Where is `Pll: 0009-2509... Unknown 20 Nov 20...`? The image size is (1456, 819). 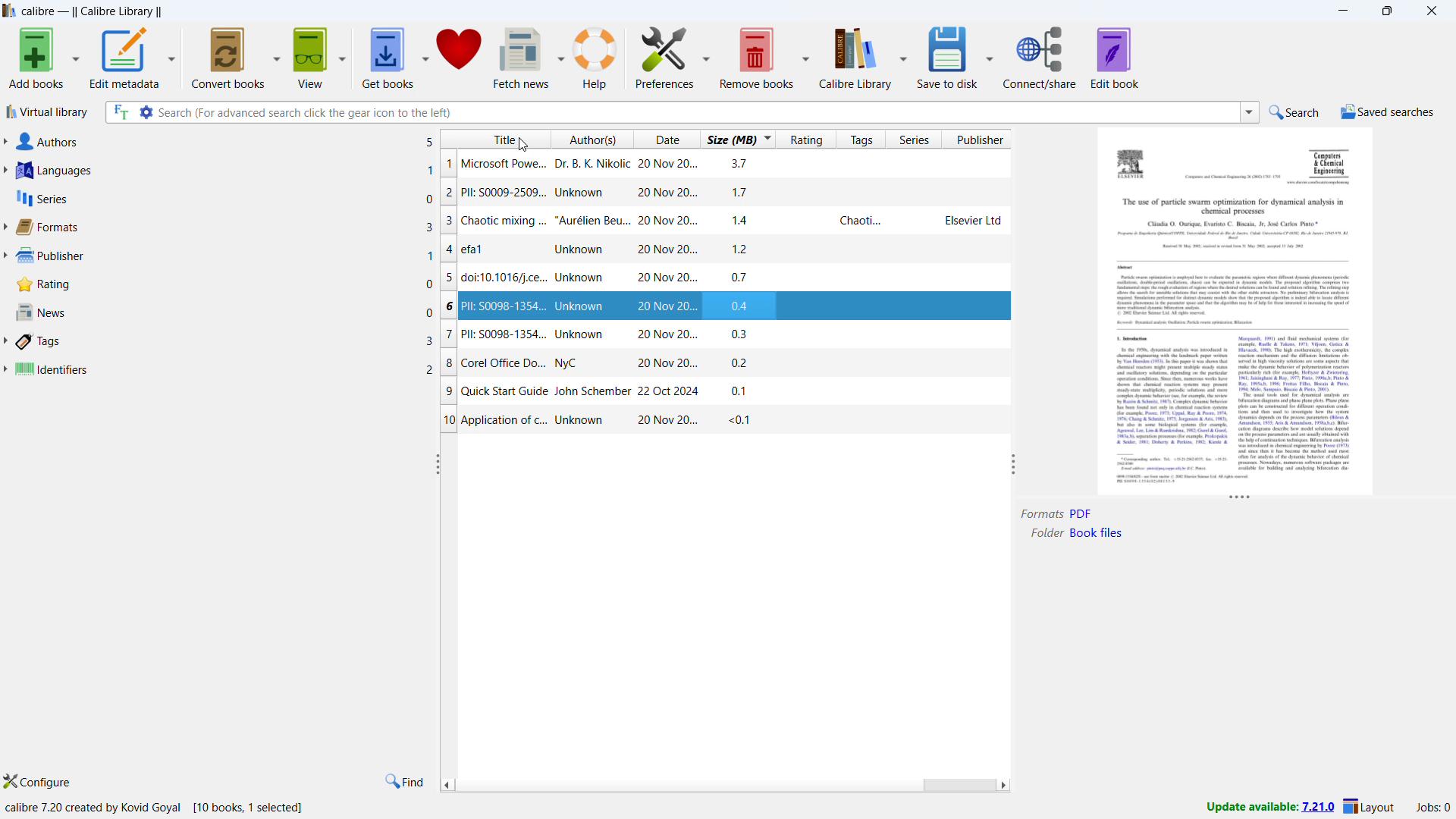
Pll: 0009-2509... Unknown 20 Nov 20... is located at coordinates (586, 192).